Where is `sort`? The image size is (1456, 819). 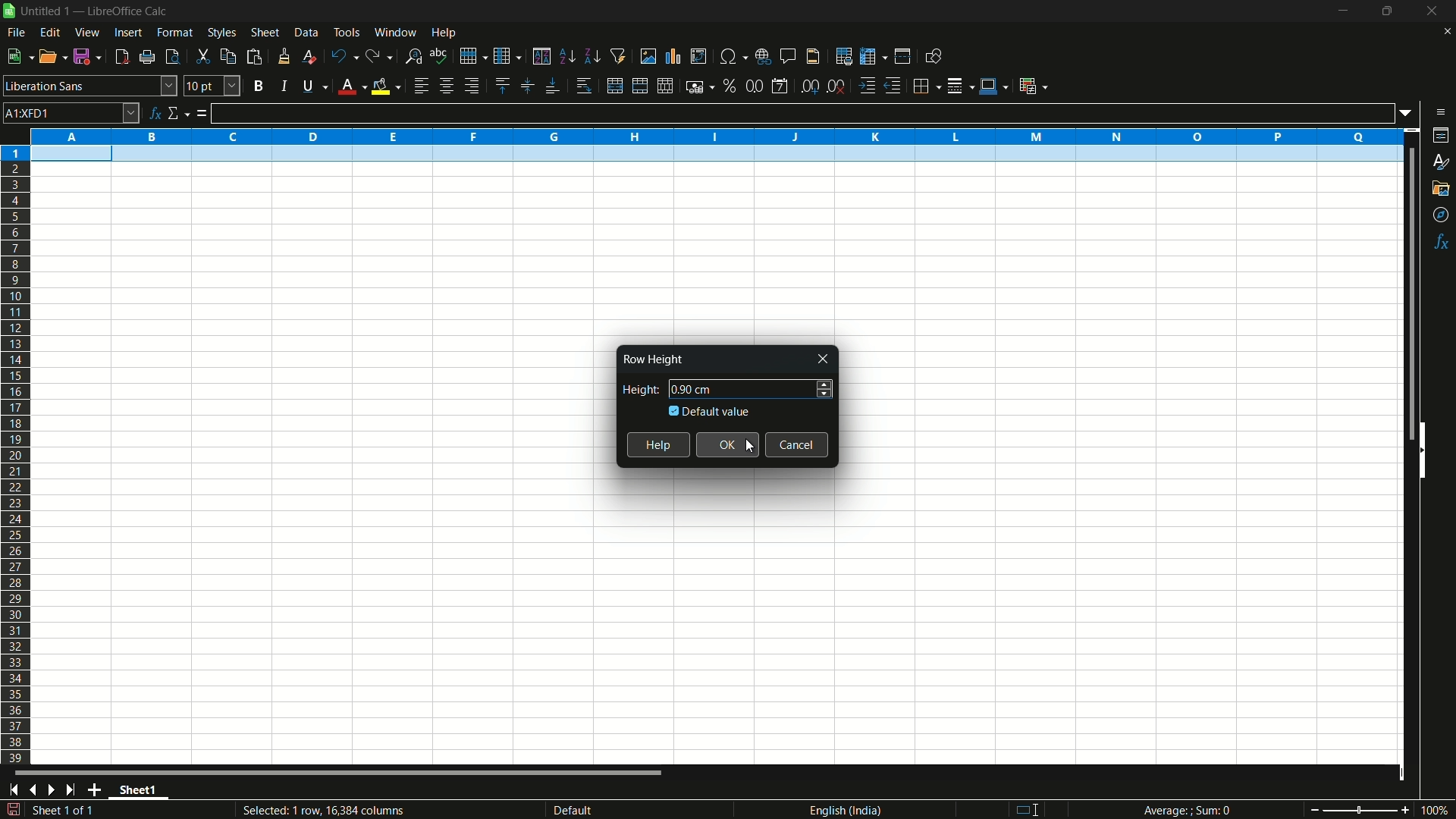
sort is located at coordinates (541, 56).